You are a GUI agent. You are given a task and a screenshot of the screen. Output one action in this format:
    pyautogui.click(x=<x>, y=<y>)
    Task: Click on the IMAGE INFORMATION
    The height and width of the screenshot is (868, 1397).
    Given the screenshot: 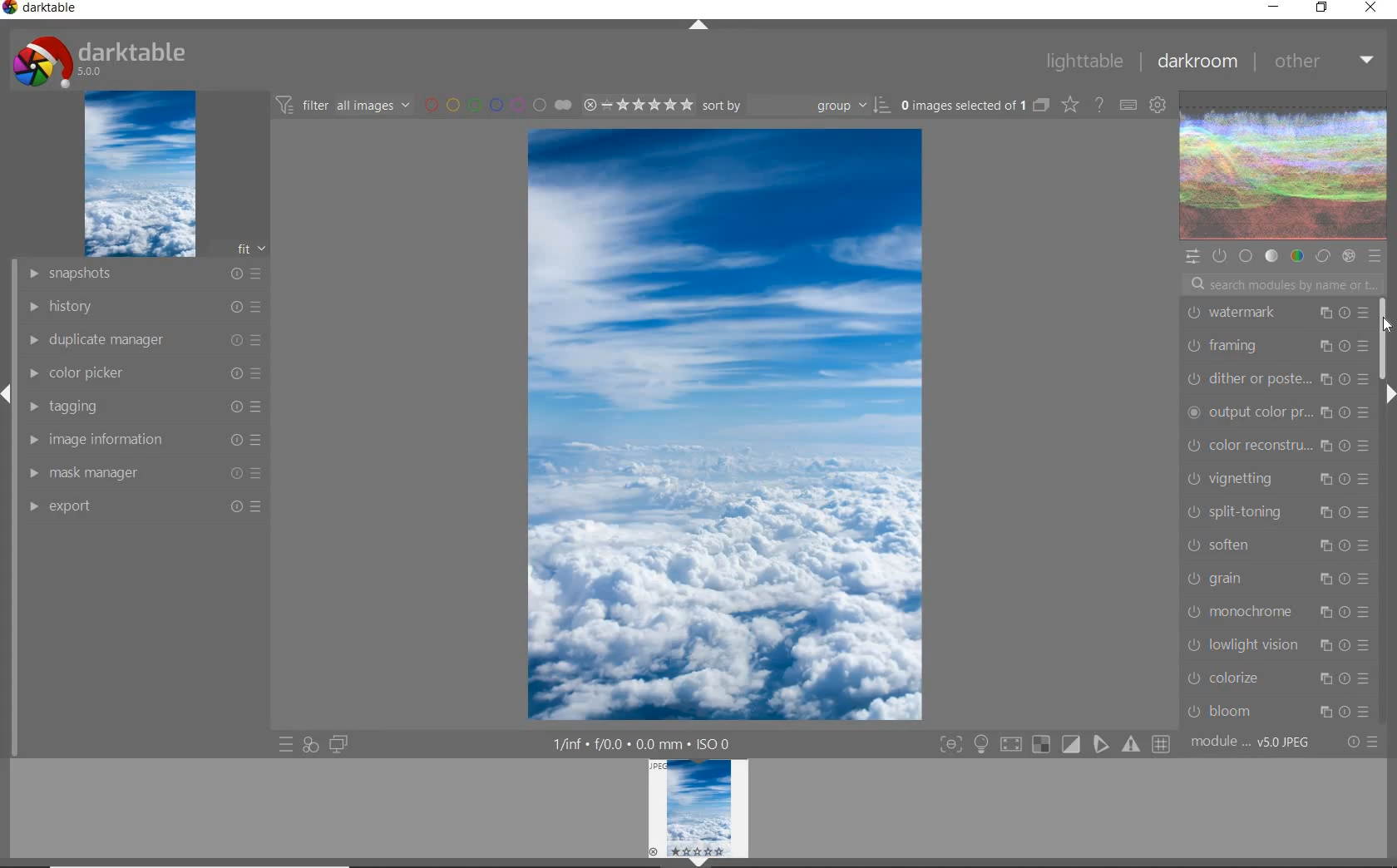 What is the action you would take?
    pyautogui.click(x=147, y=439)
    